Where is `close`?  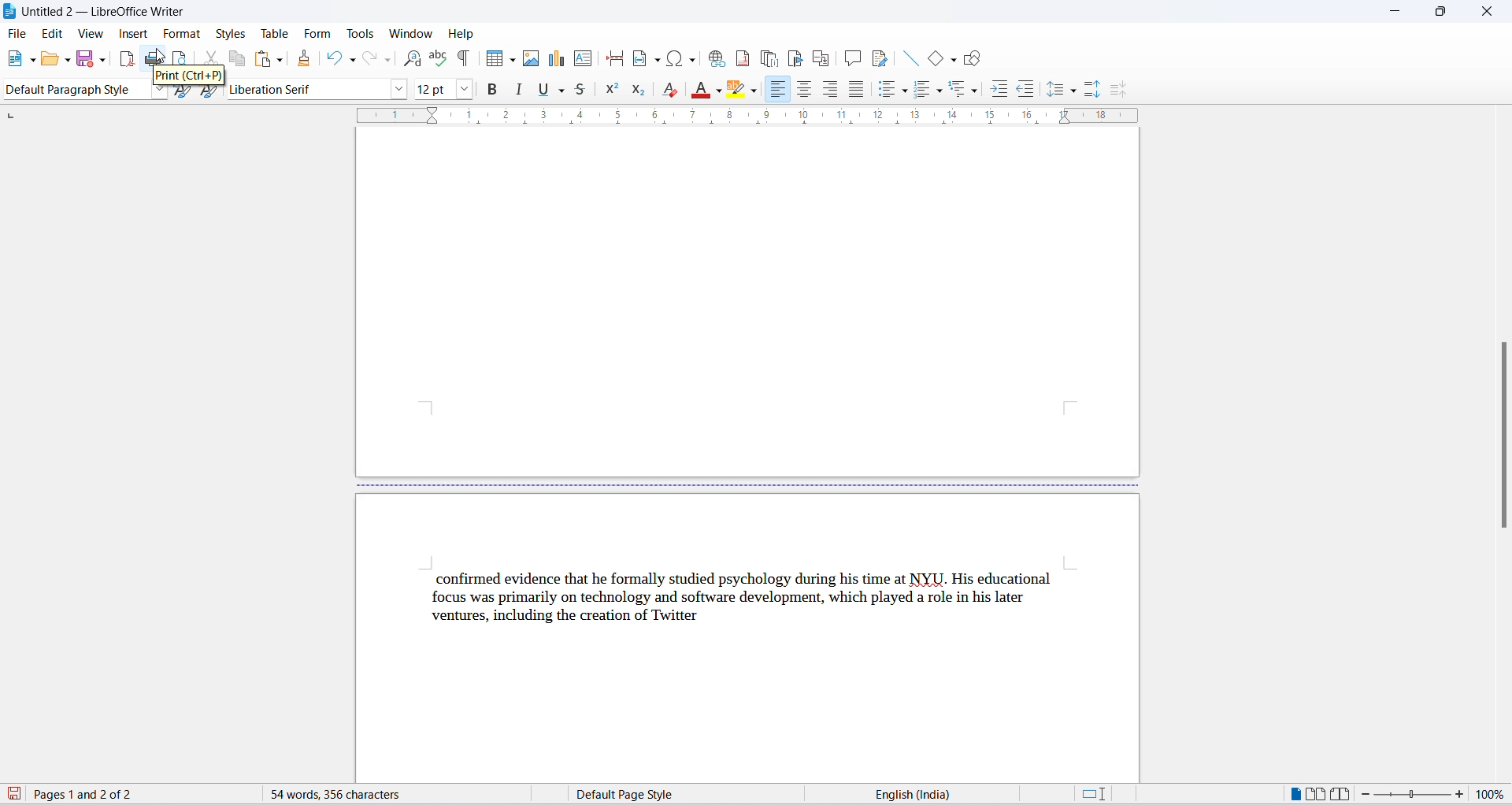
close is located at coordinates (1487, 9).